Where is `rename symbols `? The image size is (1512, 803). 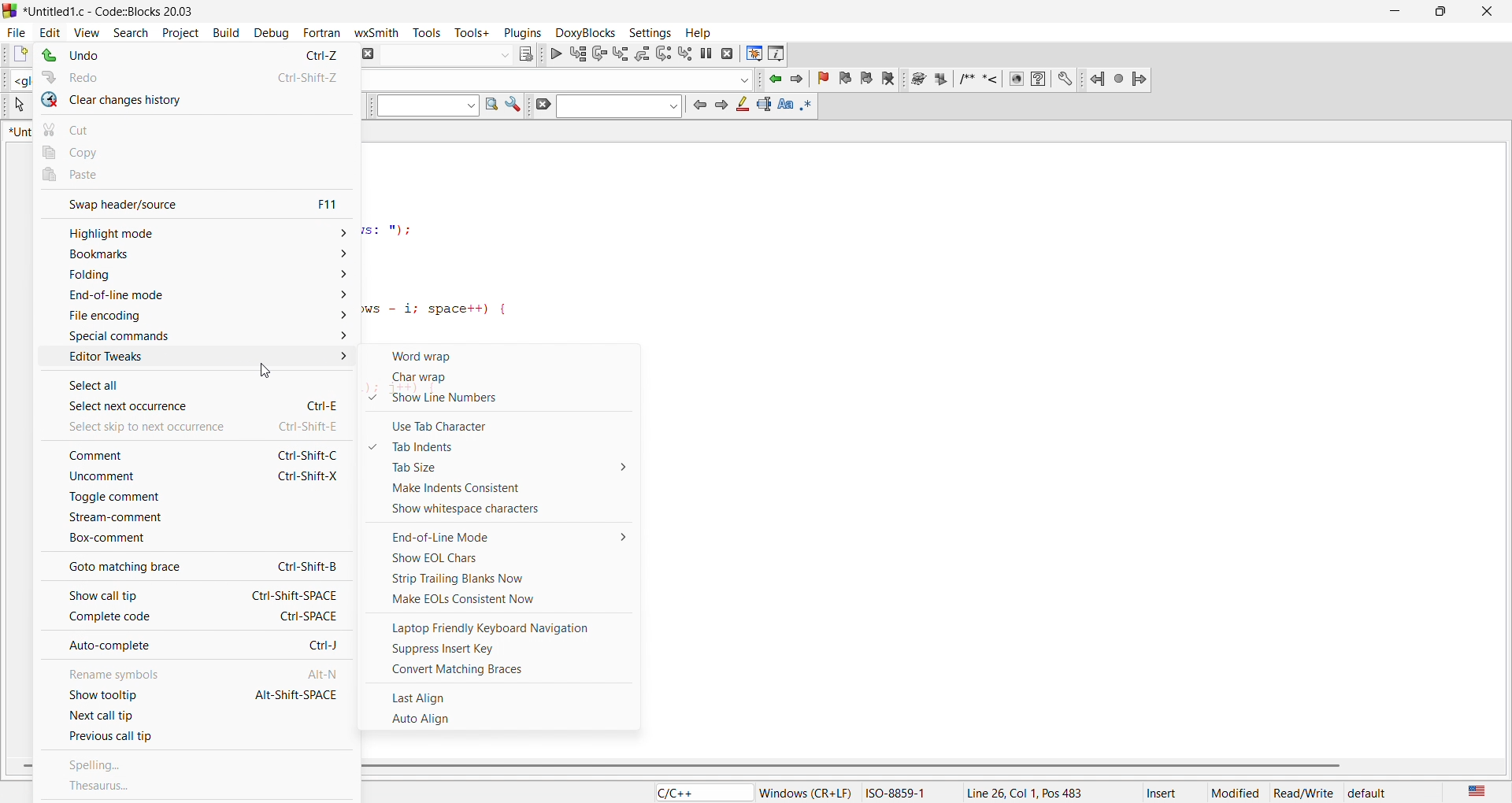
rename symbols  is located at coordinates (126, 673).